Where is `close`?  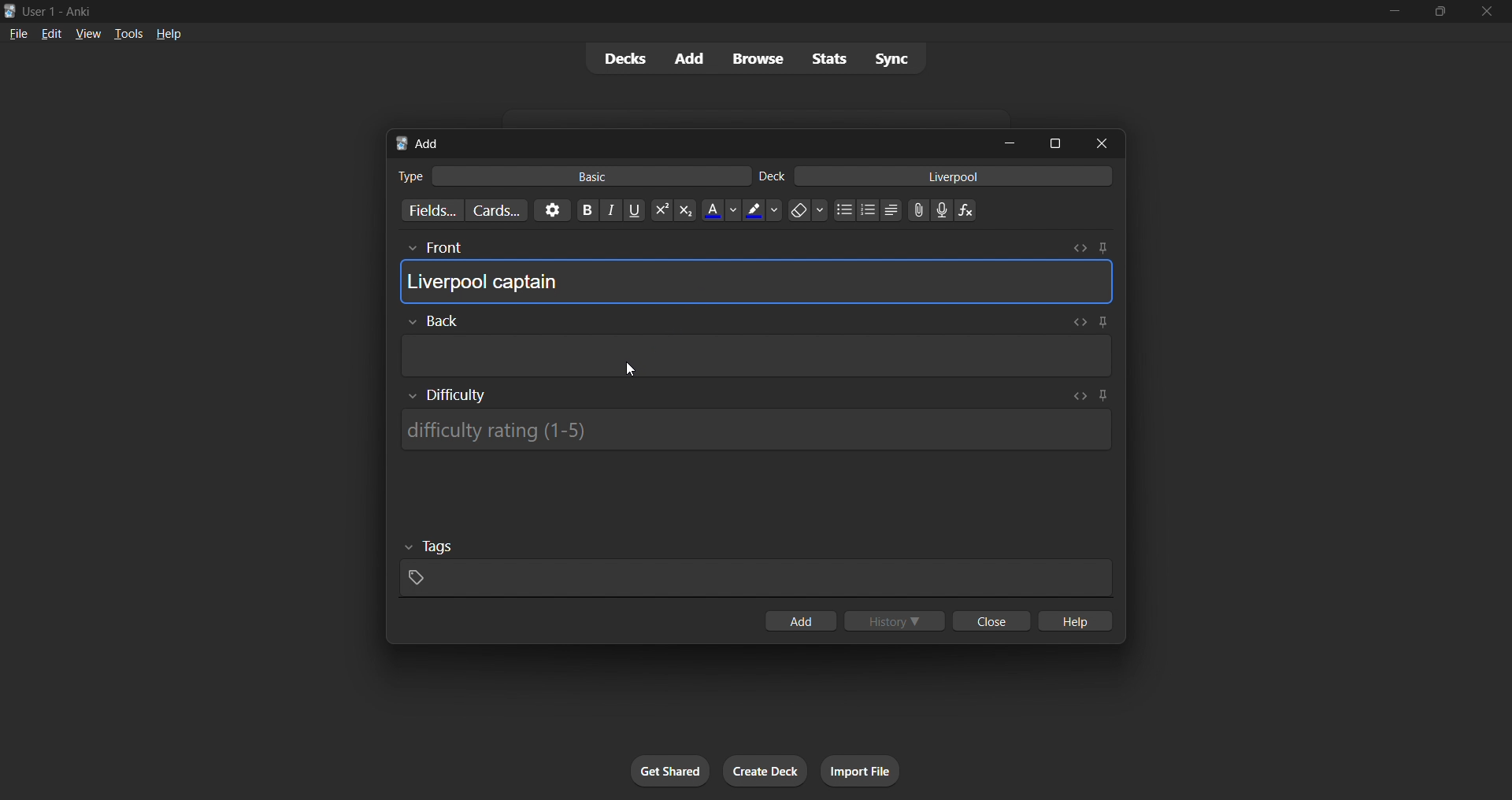 close is located at coordinates (1102, 143).